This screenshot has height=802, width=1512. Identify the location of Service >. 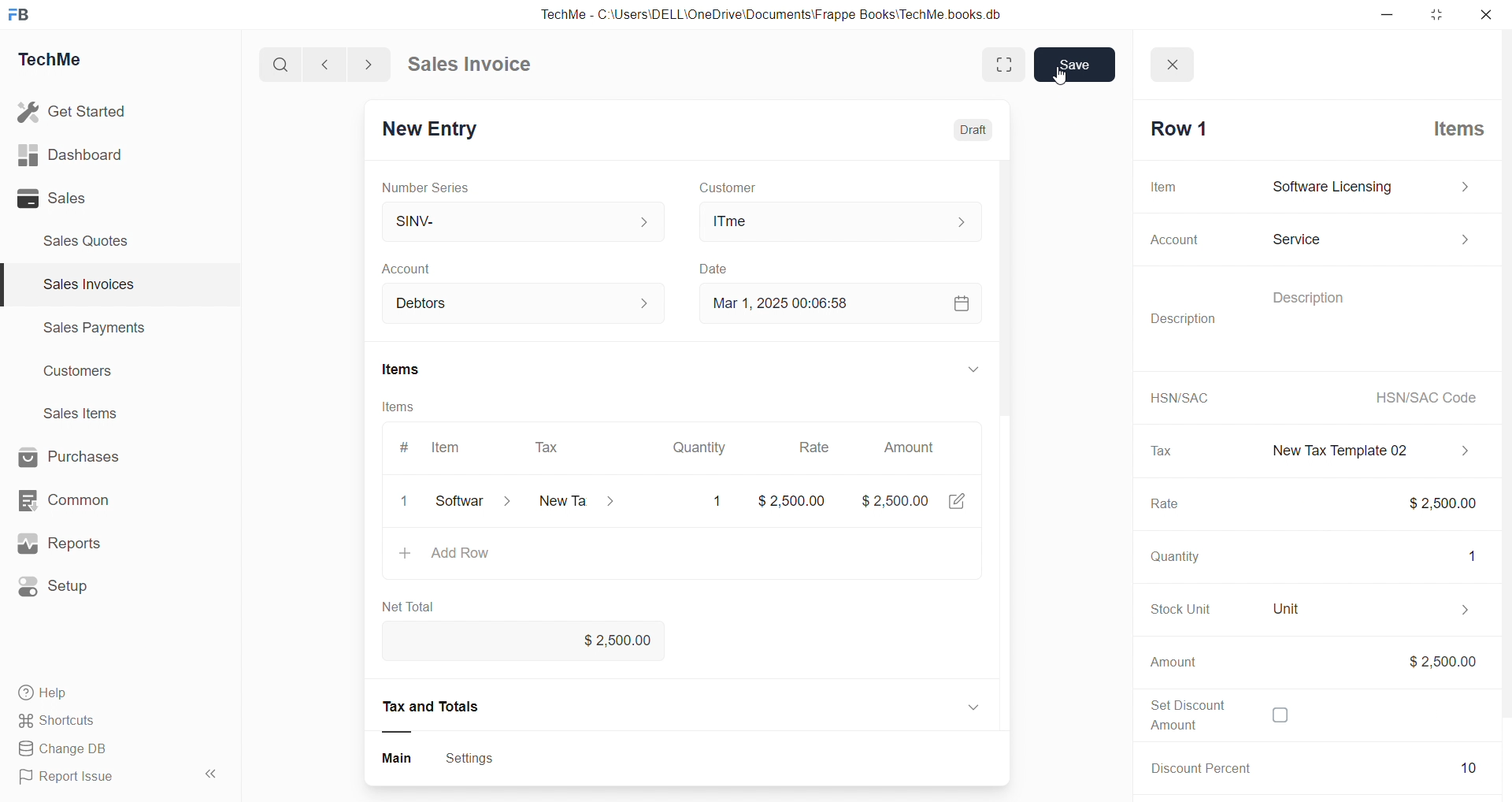
(1369, 236).